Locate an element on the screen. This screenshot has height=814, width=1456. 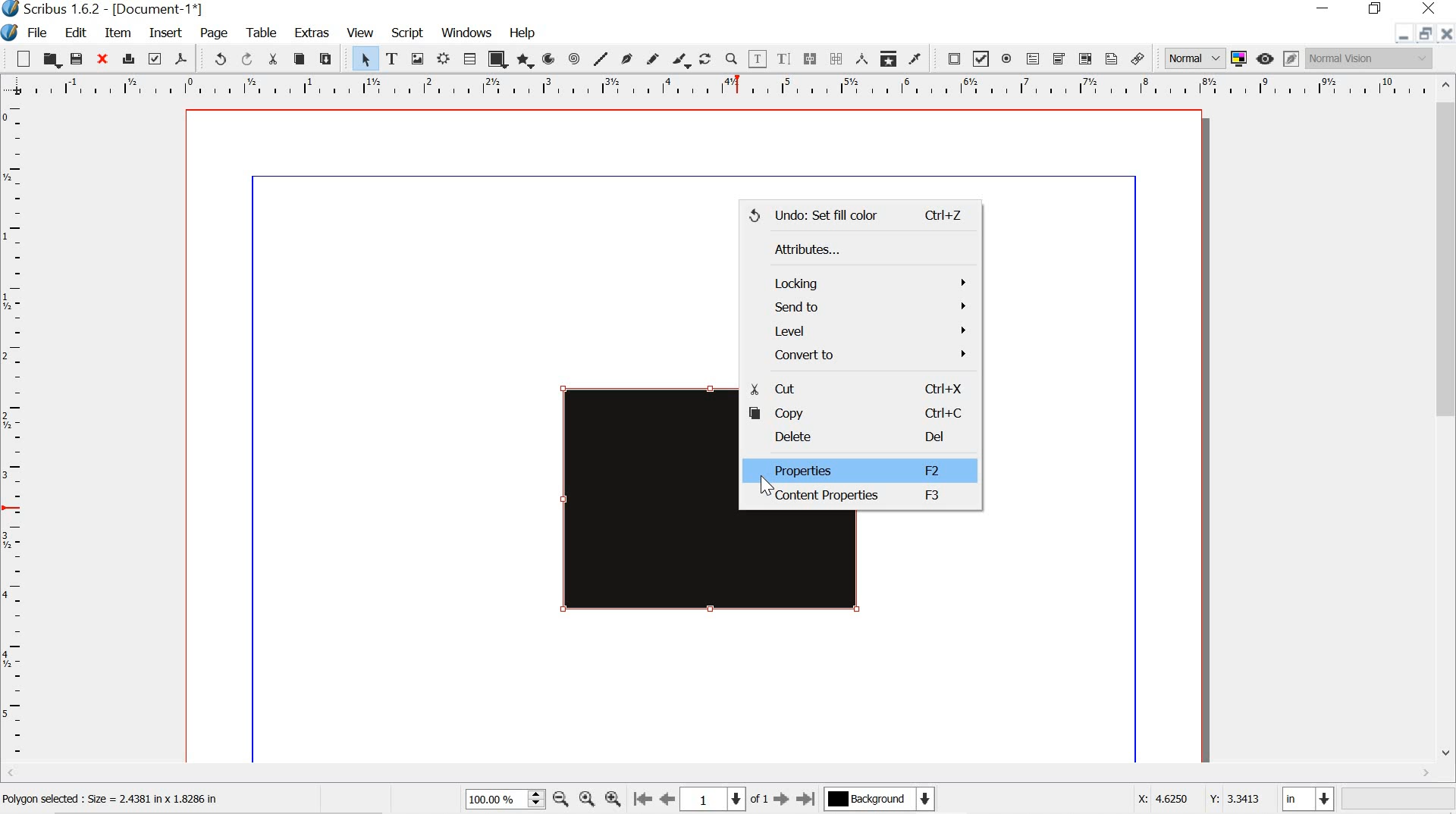
measurements is located at coordinates (861, 58).